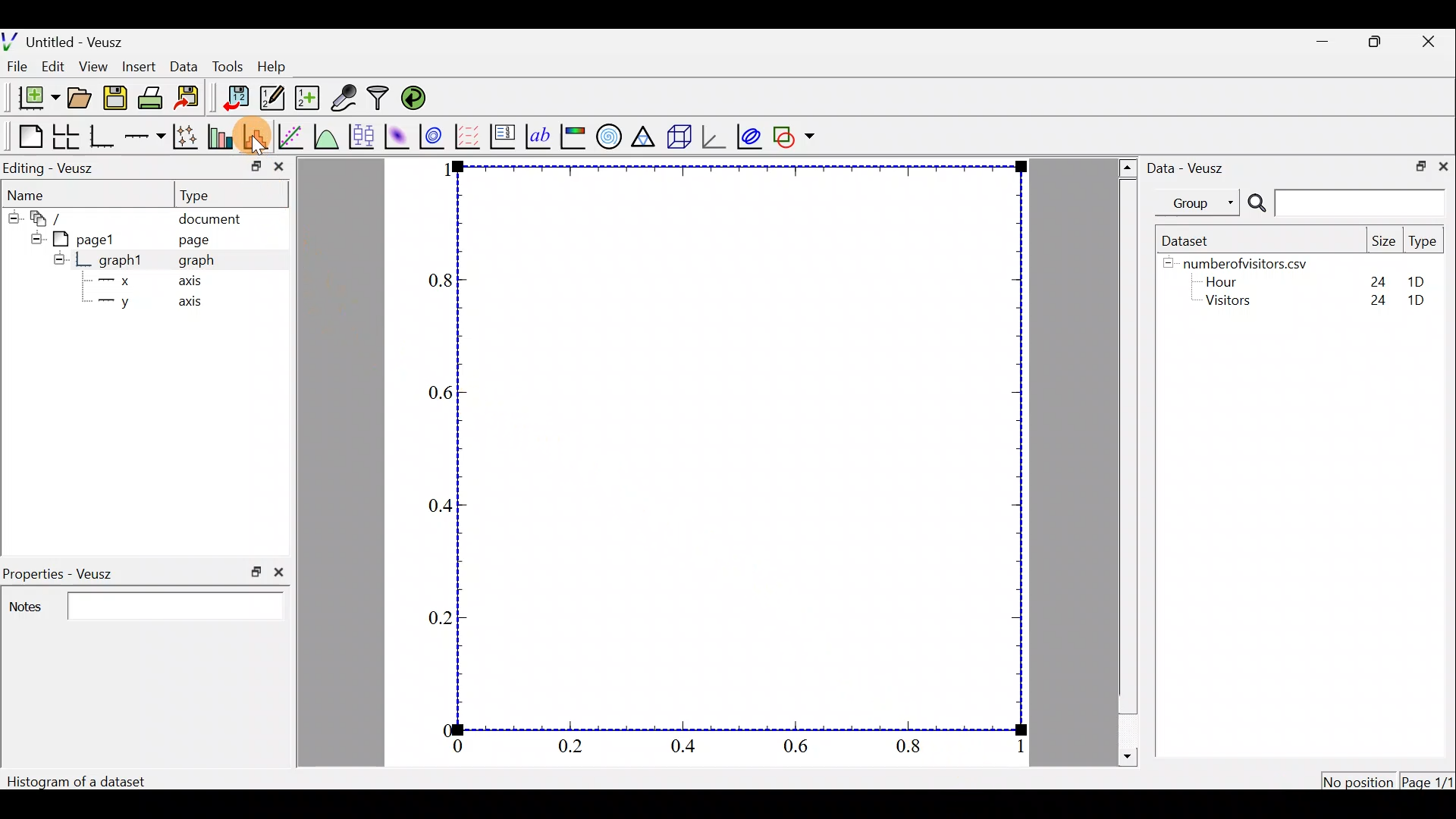 The height and width of the screenshot is (819, 1456). Describe the element at coordinates (1125, 460) in the screenshot. I see `scroll bar` at that location.